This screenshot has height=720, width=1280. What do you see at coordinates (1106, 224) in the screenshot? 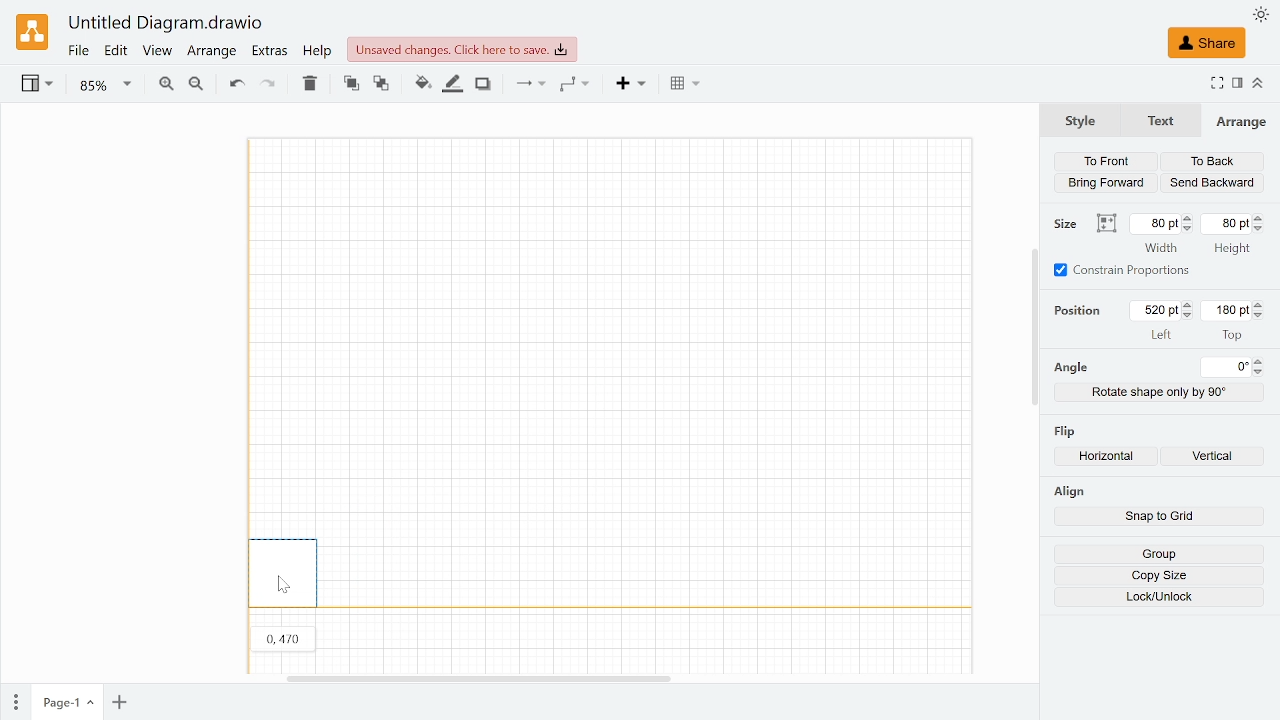
I see `Autosize` at bounding box center [1106, 224].